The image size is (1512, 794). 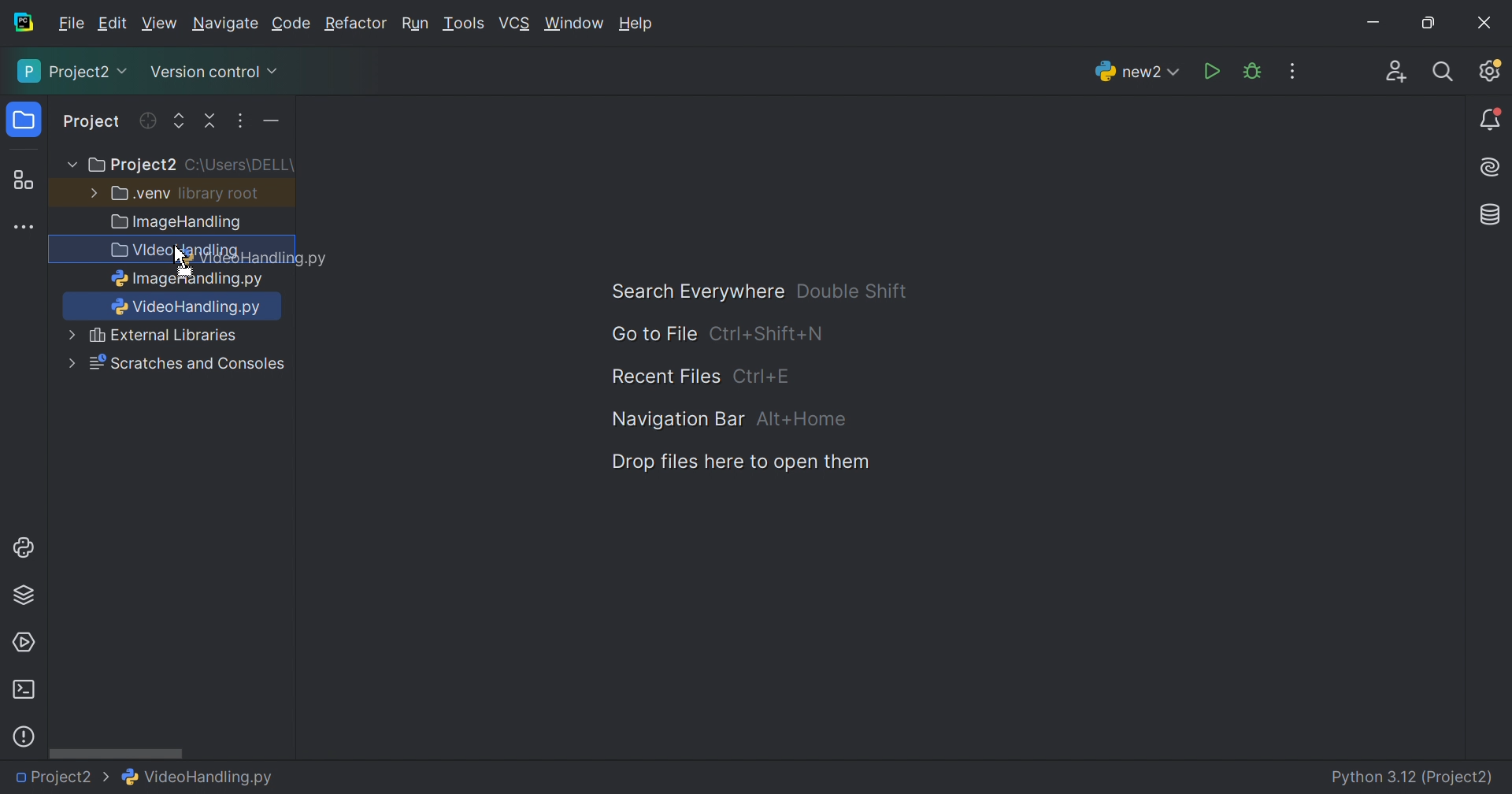 I want to click on more, so click(x=69, y=364).